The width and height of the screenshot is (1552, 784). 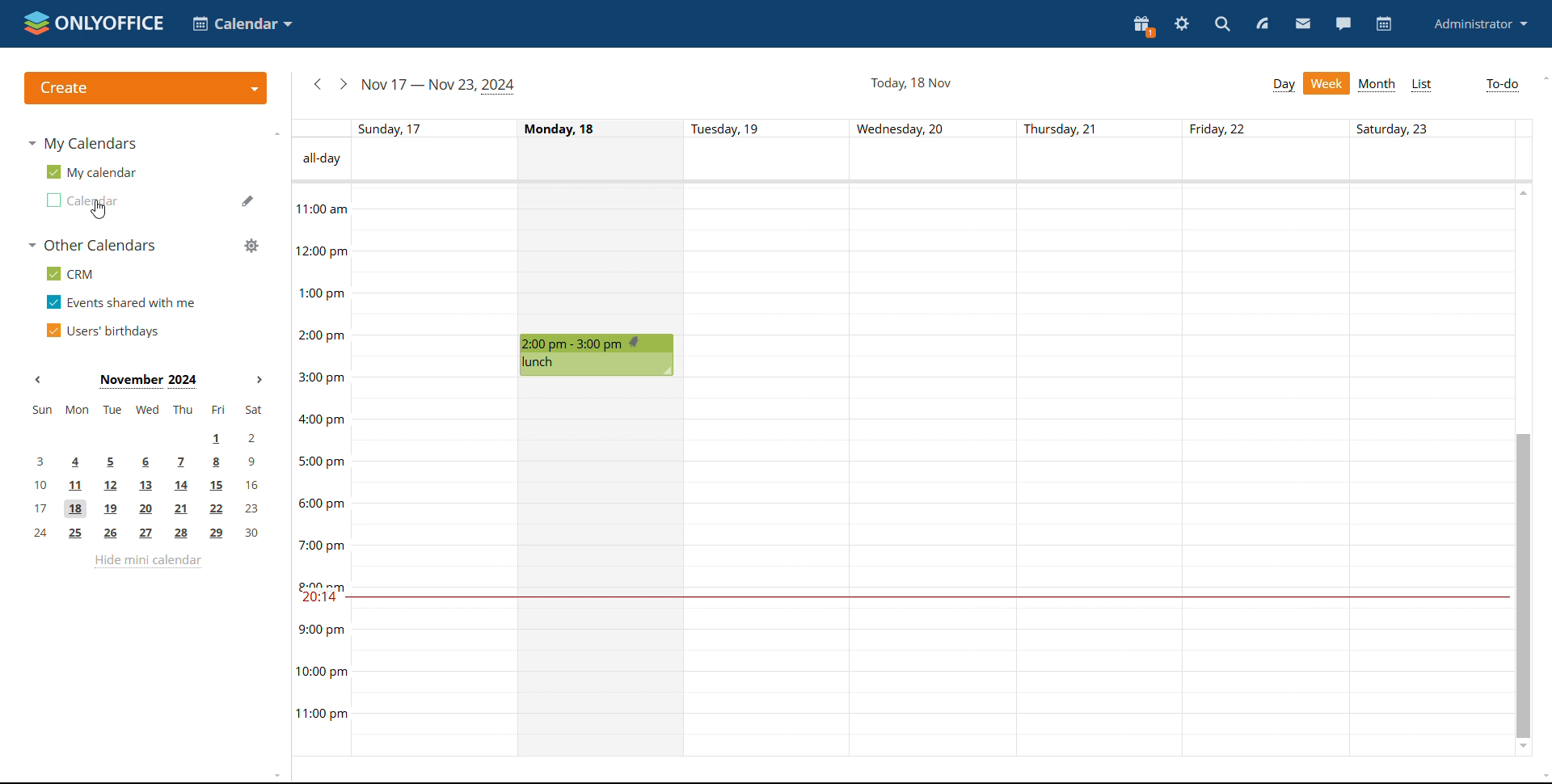 What do you see at coordinates (1265, 472) in the screenshot?
I see `friday` at bounding box center [1265, 472].